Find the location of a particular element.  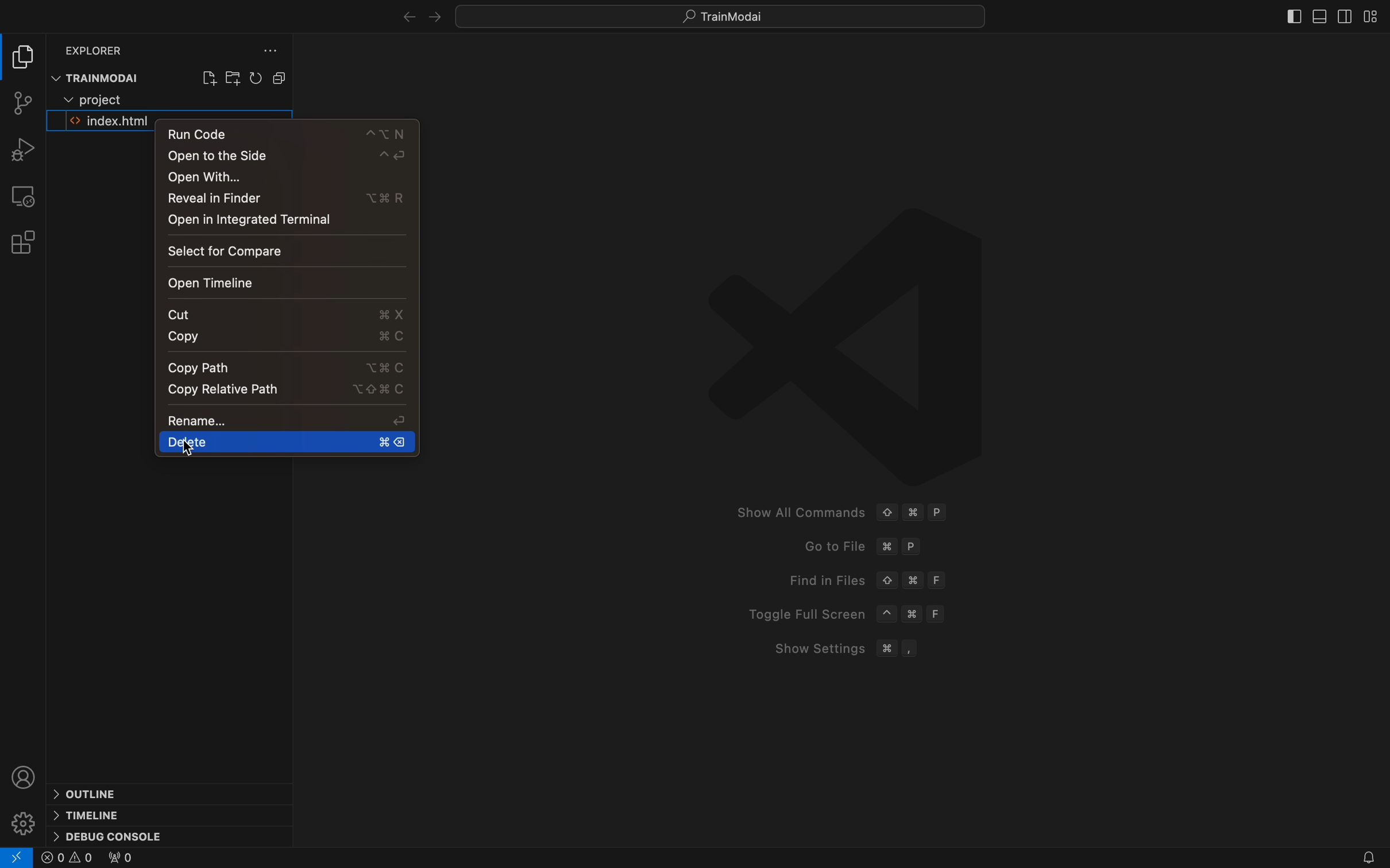

quick toolbar is located at coordinates (733, 17).